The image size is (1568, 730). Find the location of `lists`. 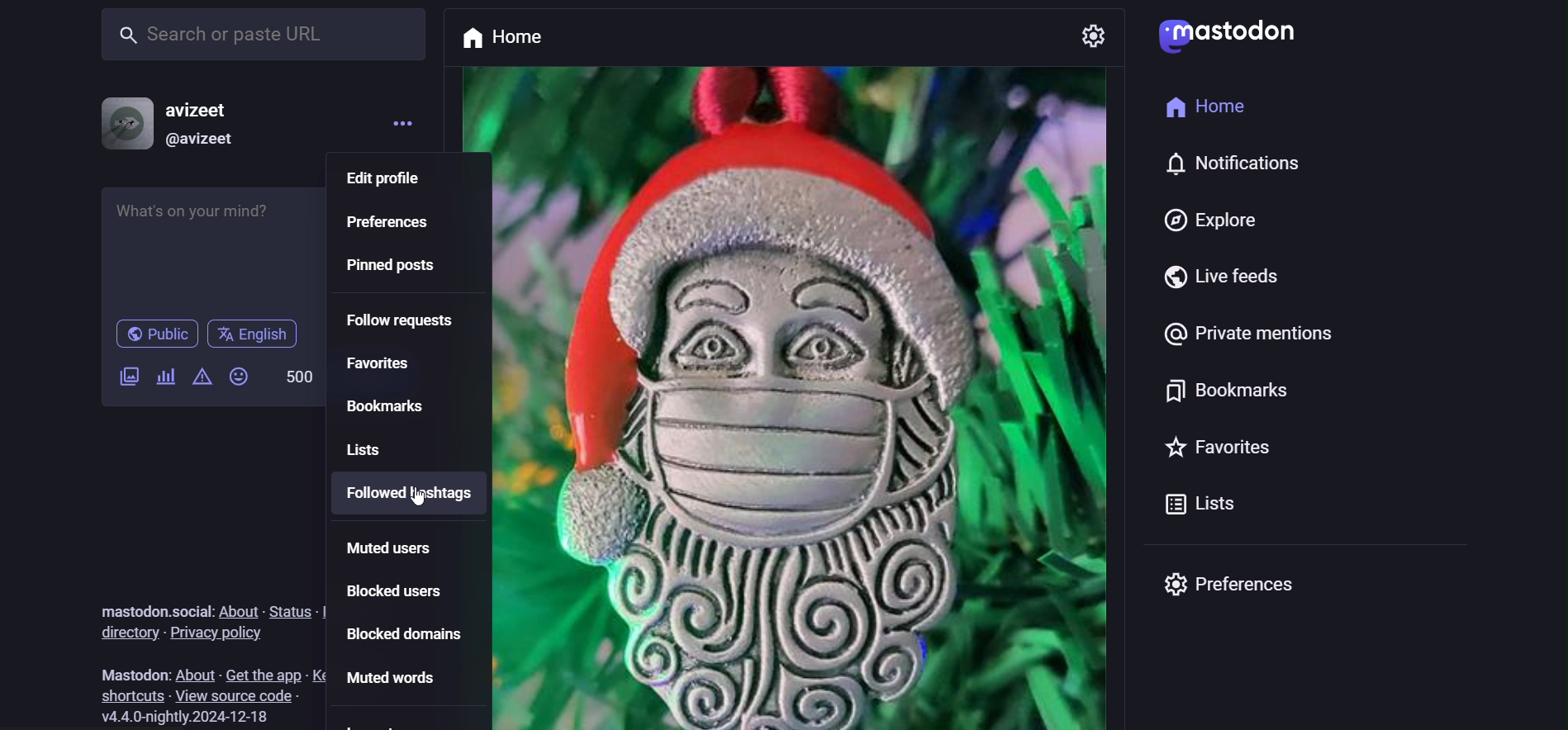

lists is located at coordinates (376, 451).